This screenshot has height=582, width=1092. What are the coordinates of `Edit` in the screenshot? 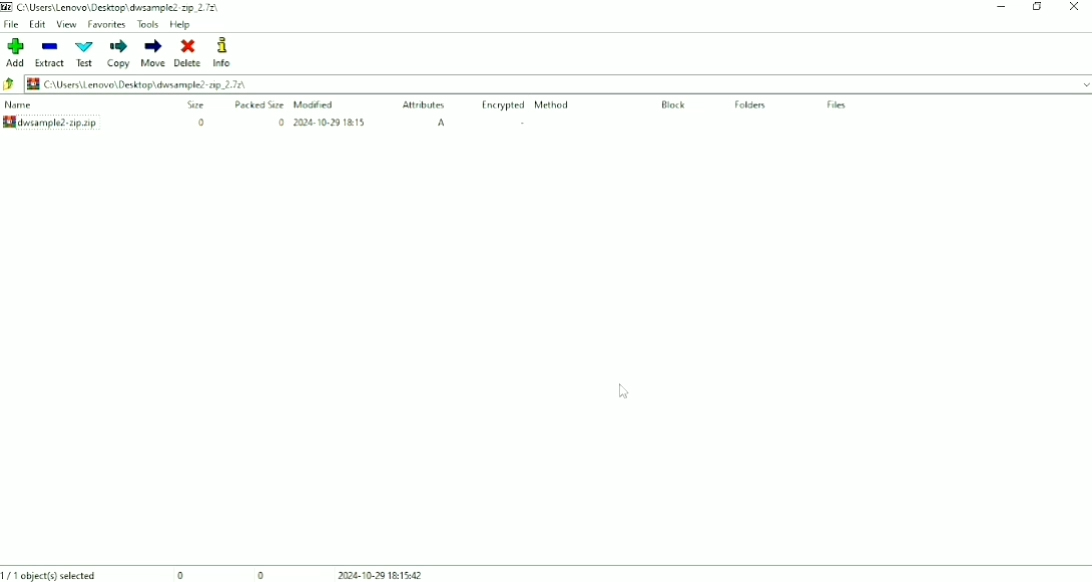 It's located at (37, 24).